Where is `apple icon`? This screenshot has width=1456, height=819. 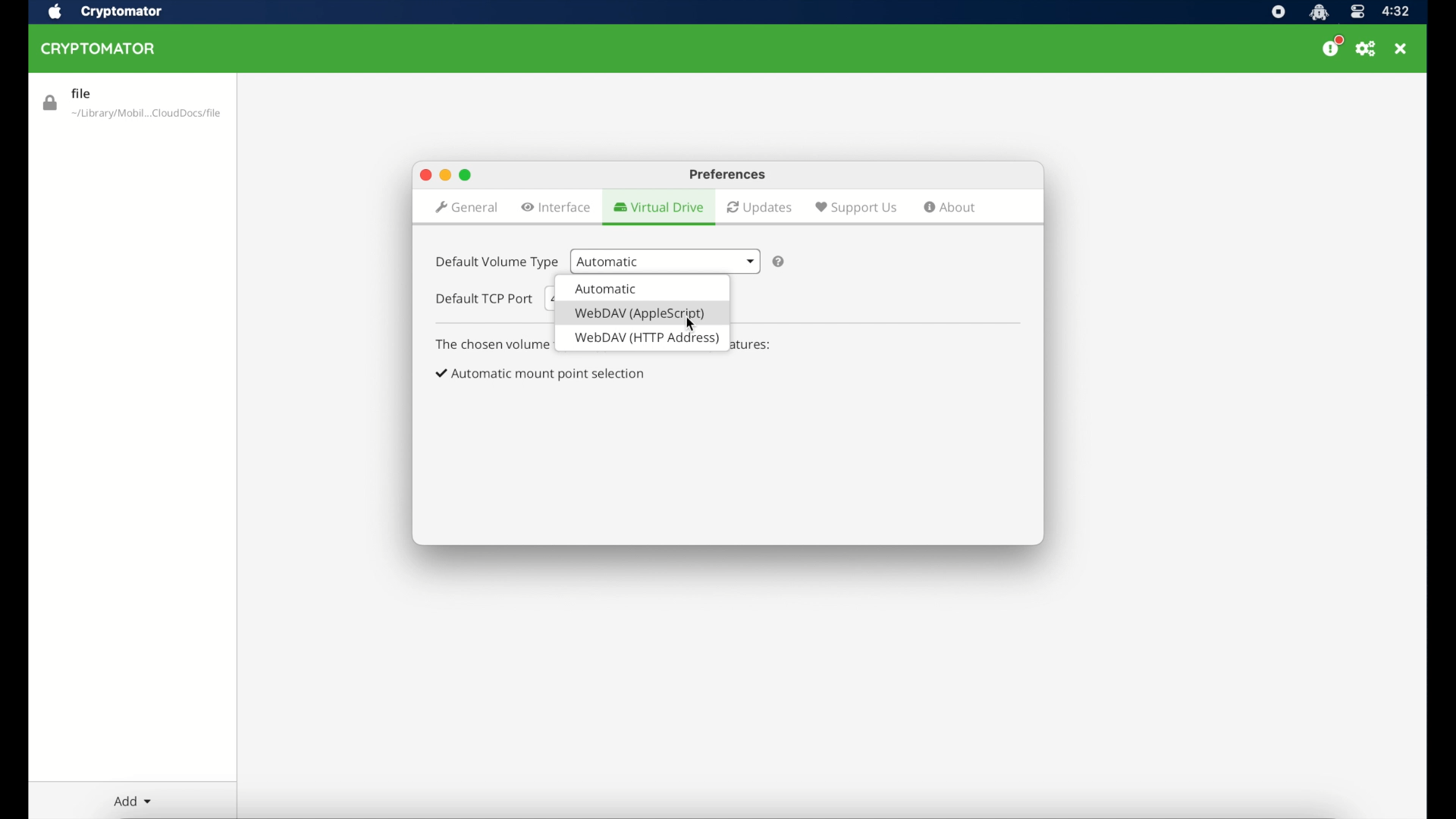 apple icon is located at coordinates (53, 12).